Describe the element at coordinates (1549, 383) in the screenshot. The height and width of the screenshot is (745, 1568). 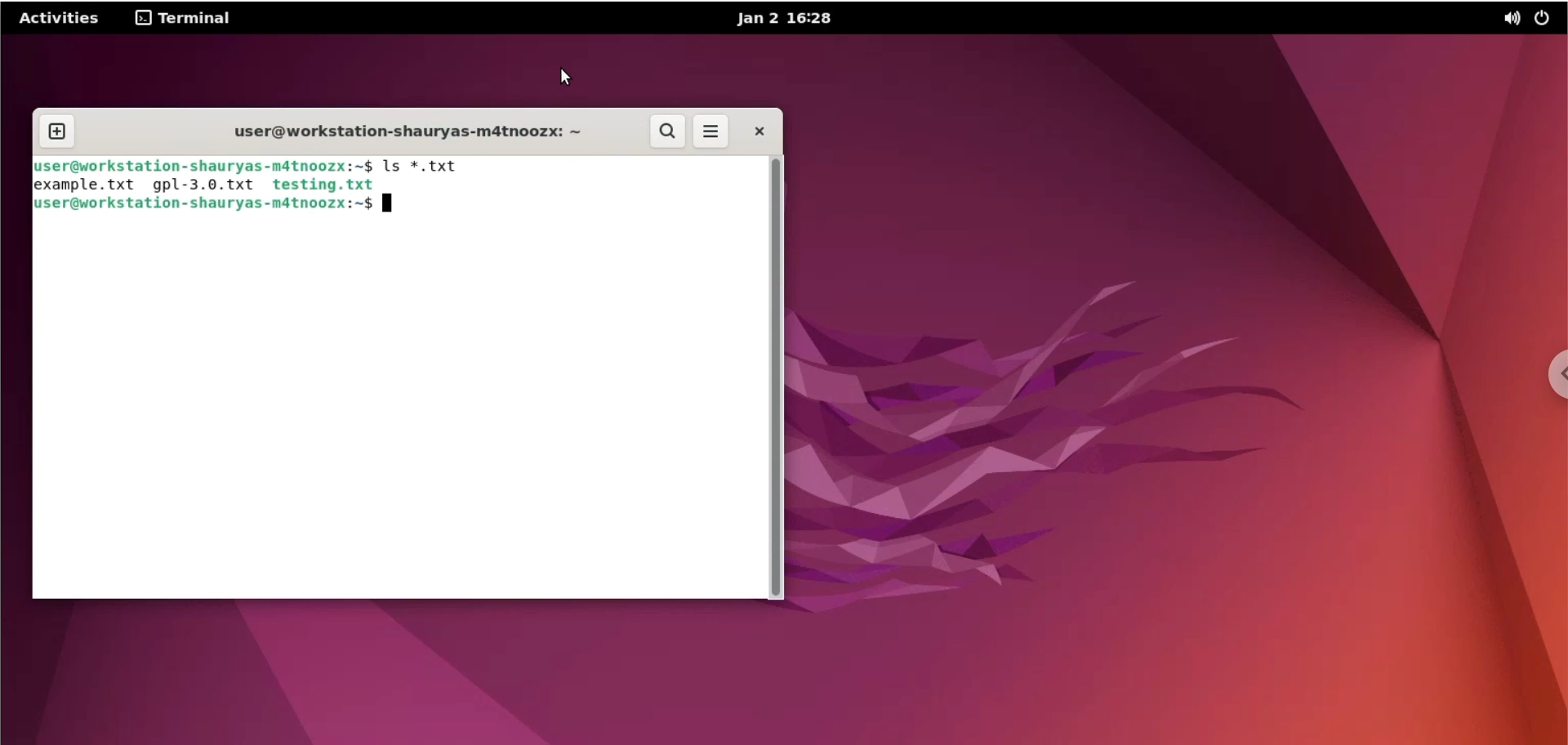
I see `chrome options` at that location.